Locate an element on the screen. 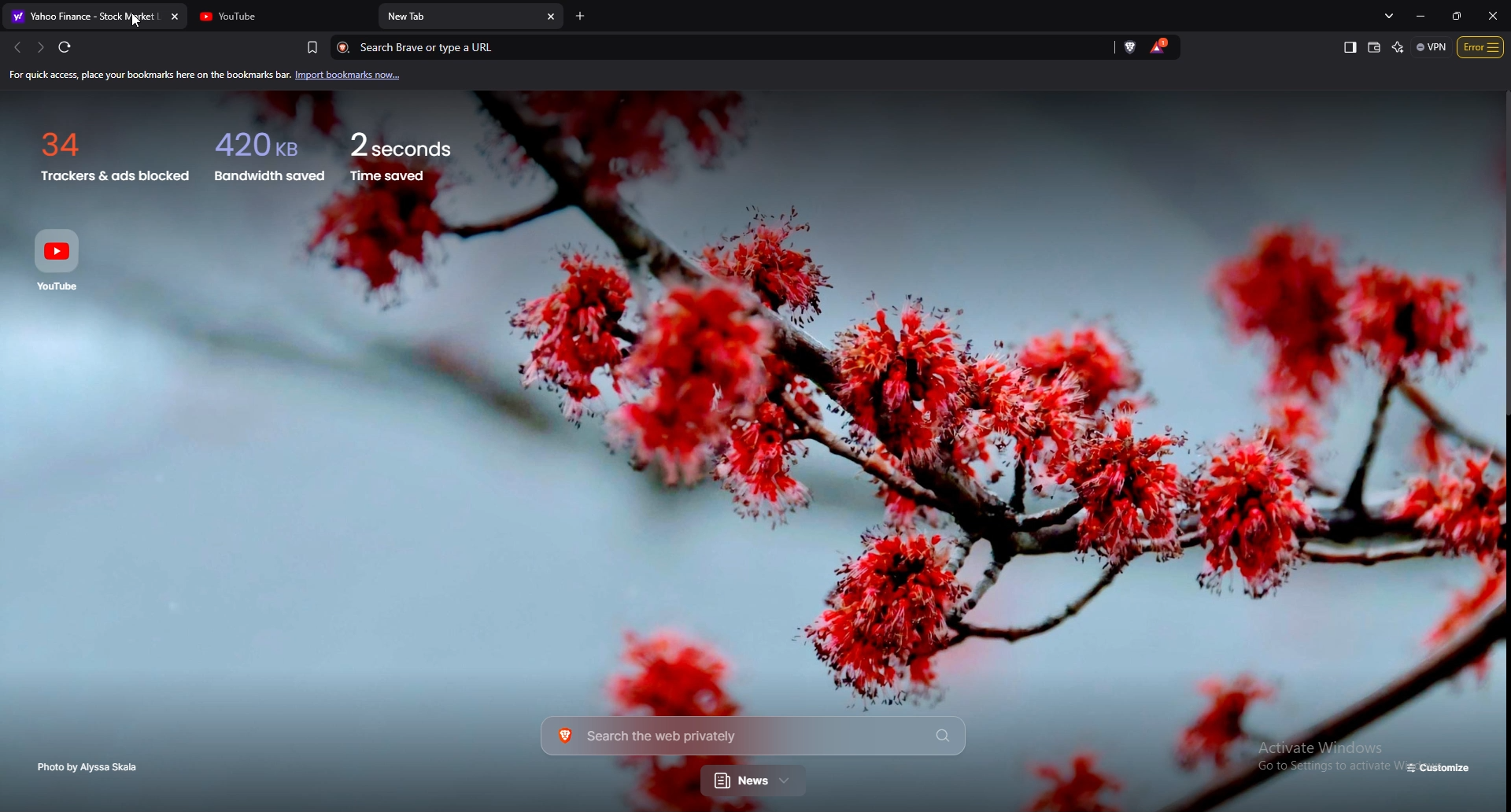 This screenshot has height=812, width=1511. add tab is located at coordinates (581, 17).